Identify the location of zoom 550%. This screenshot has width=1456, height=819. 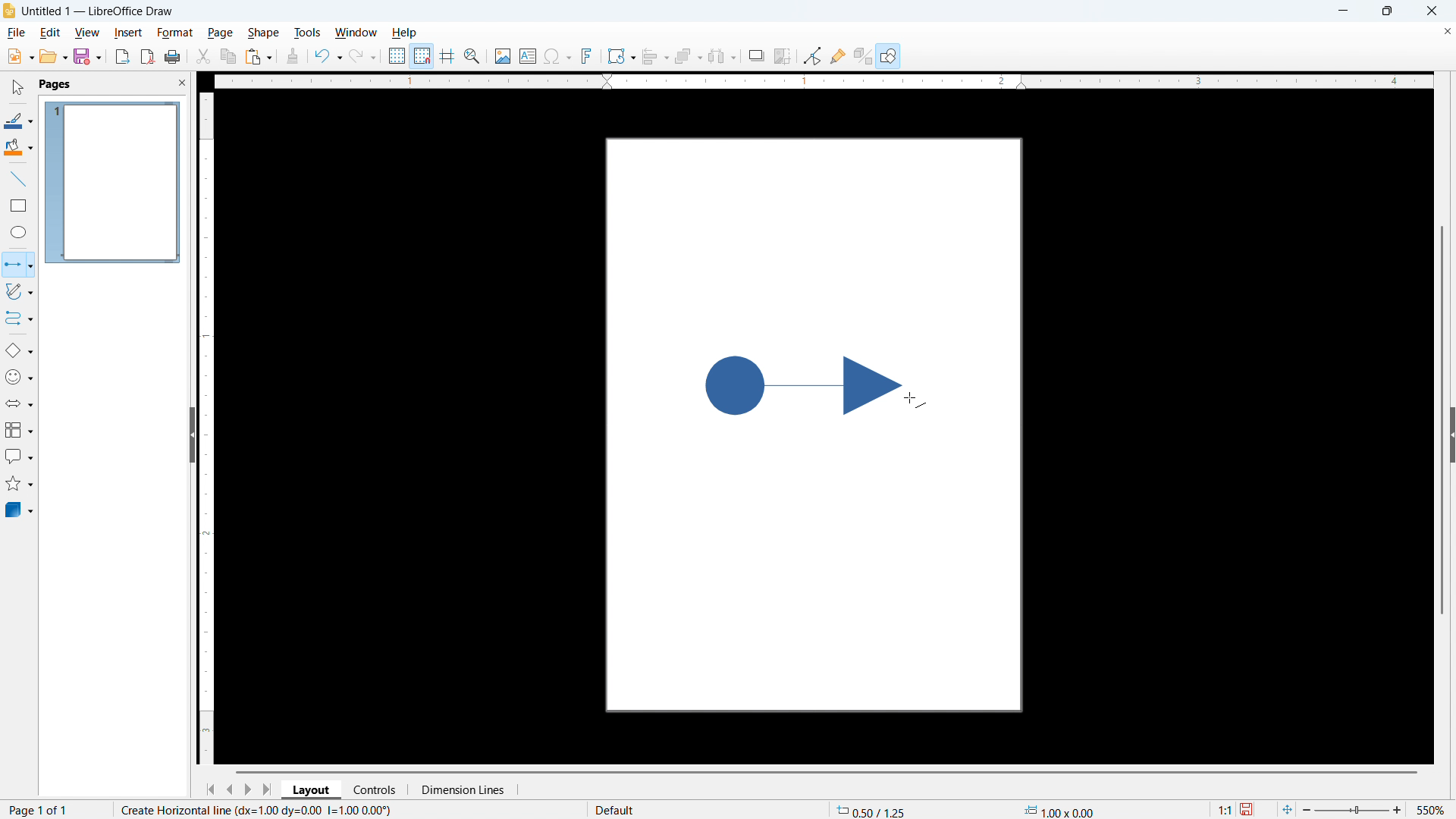
(1377, 808).